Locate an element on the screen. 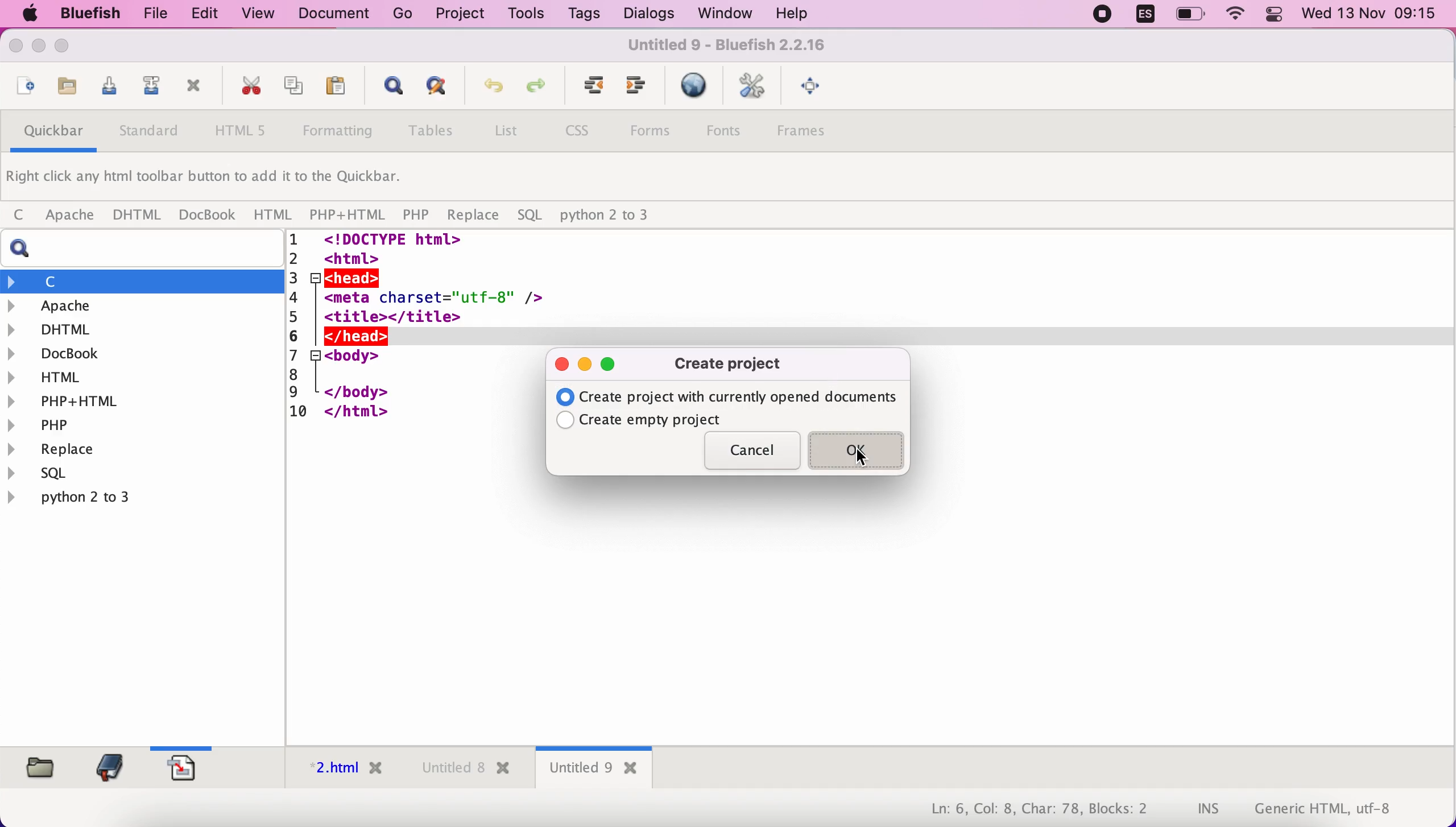 The image size is (1456, 827). redo is located at coordinates (535, 90).